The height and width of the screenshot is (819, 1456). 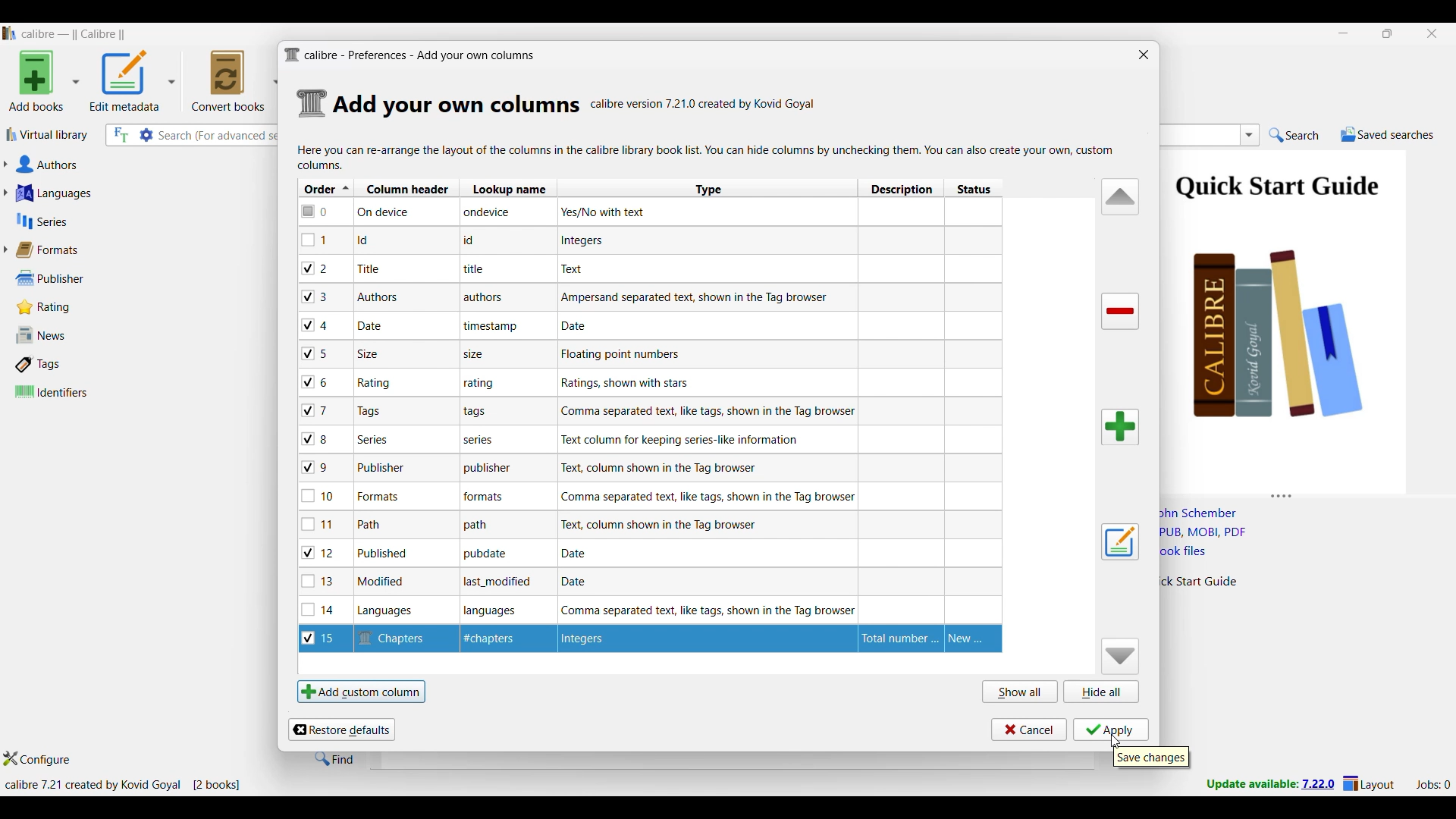 What do you see at coordinates (326, 188) in the screenshot?
I see `Order column, current sorting` at bounding box center [326, 188].